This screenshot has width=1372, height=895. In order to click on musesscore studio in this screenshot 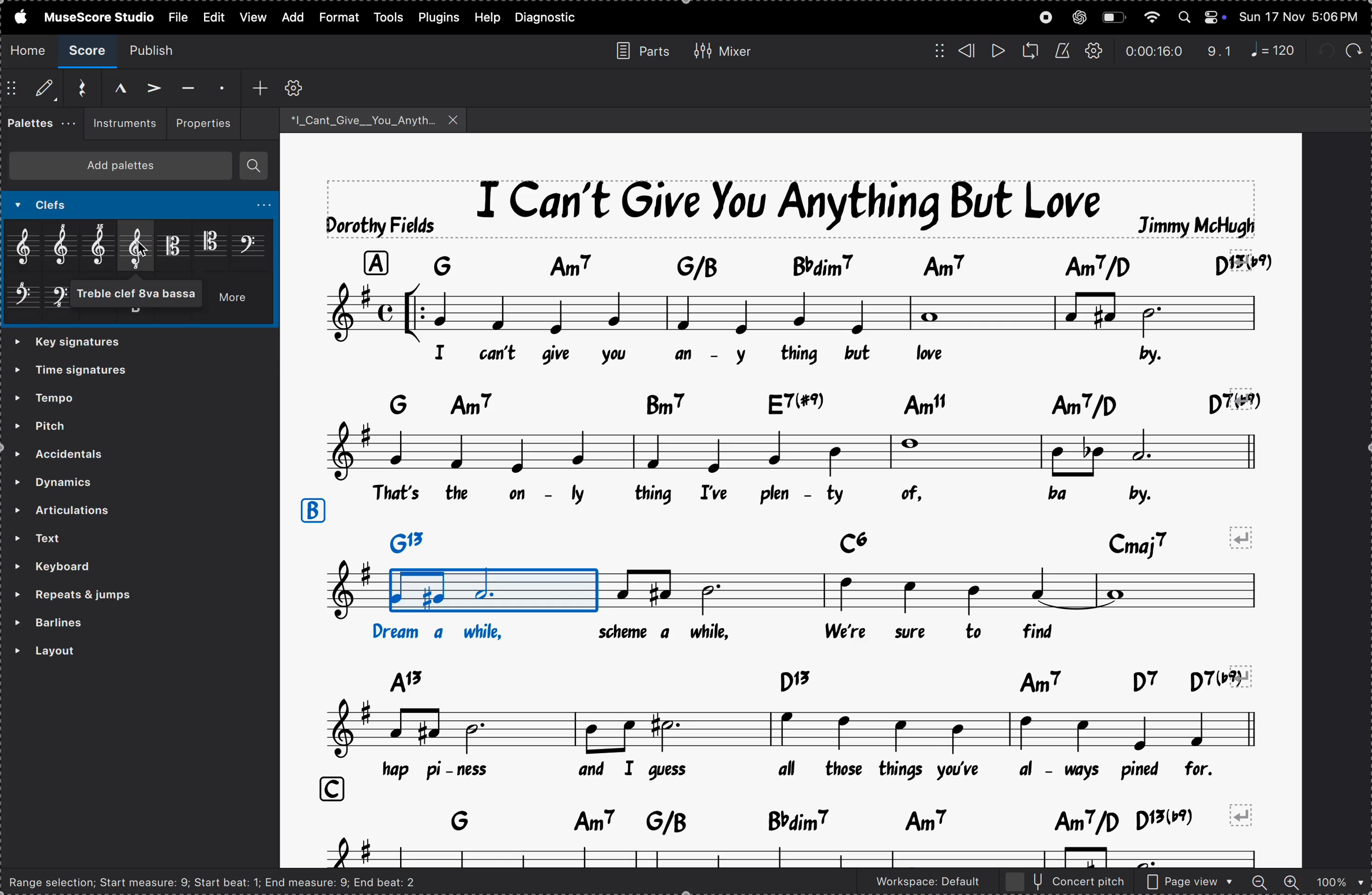, I will do `click(98, 16)`.